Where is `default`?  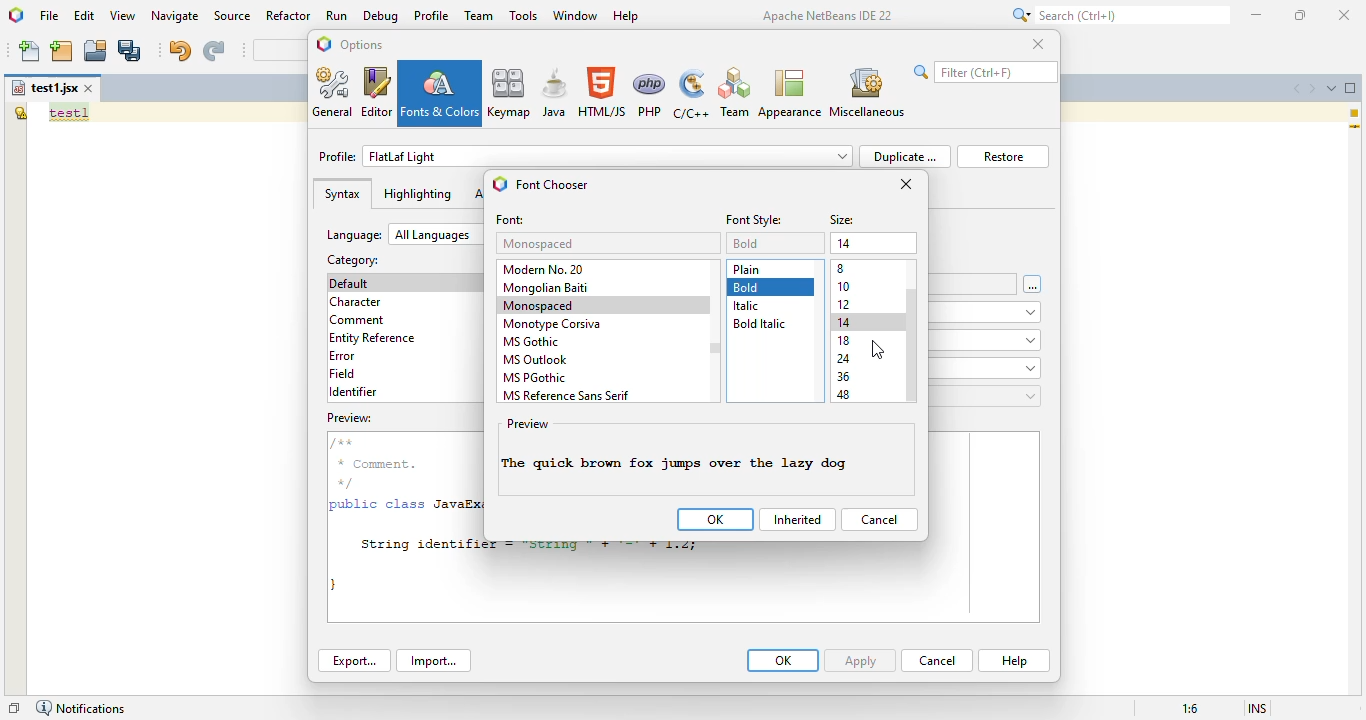 default is located at coordinates (353, 283).